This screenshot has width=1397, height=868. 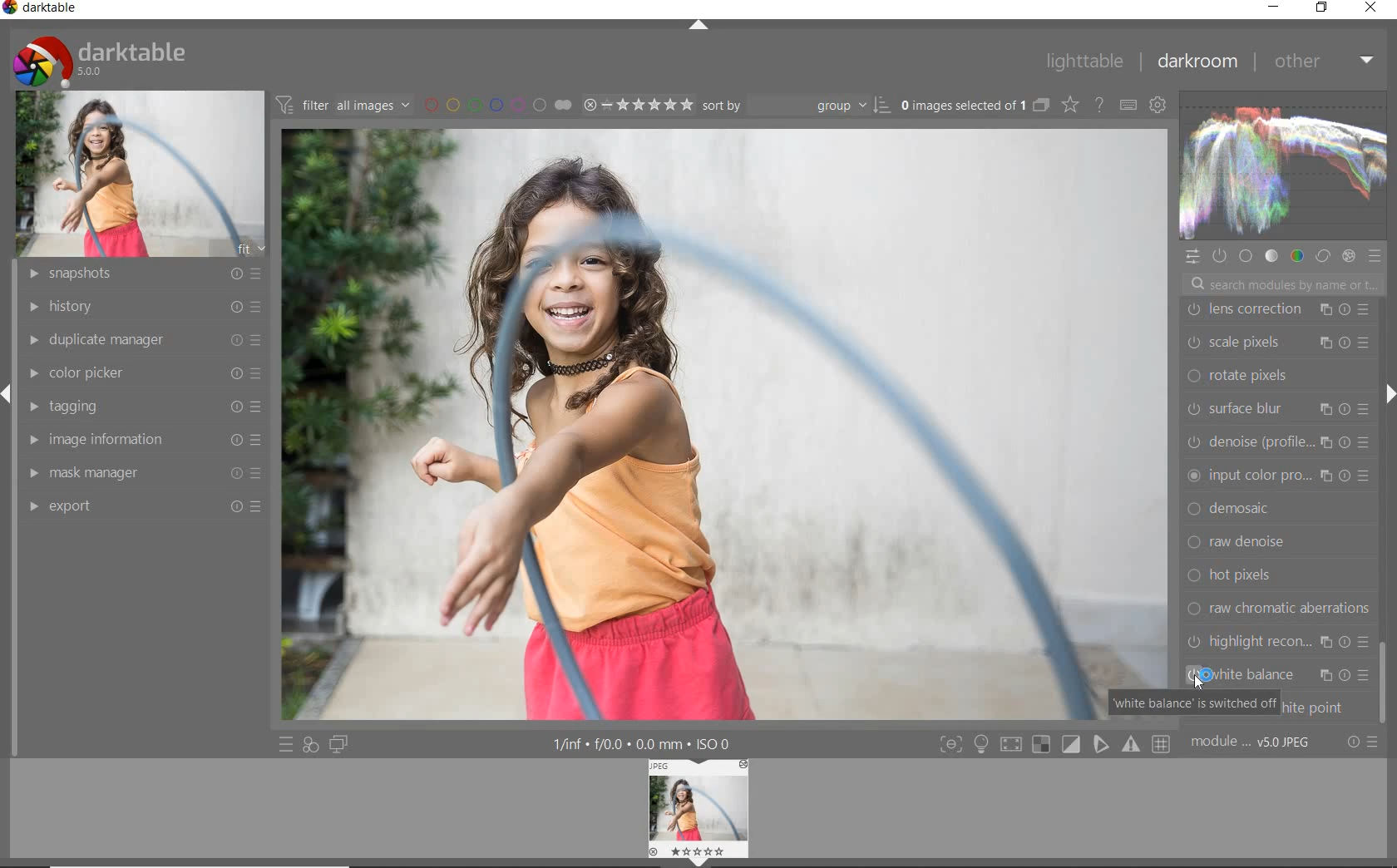 I want to click on lighttable, so click(x=1084, y=62).